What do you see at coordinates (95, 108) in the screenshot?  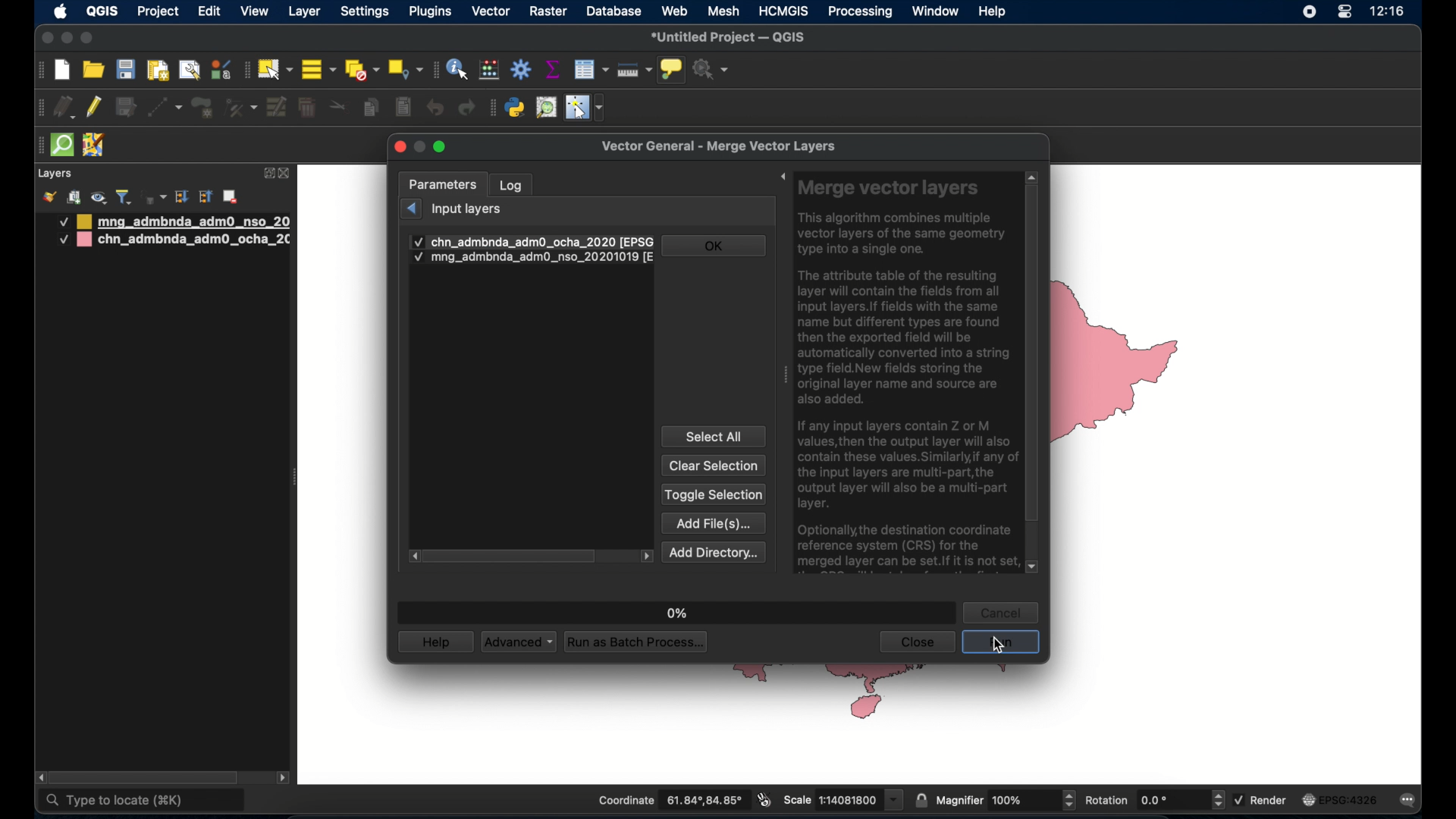 I see `toggle editing` at bounding box center [95, 108].